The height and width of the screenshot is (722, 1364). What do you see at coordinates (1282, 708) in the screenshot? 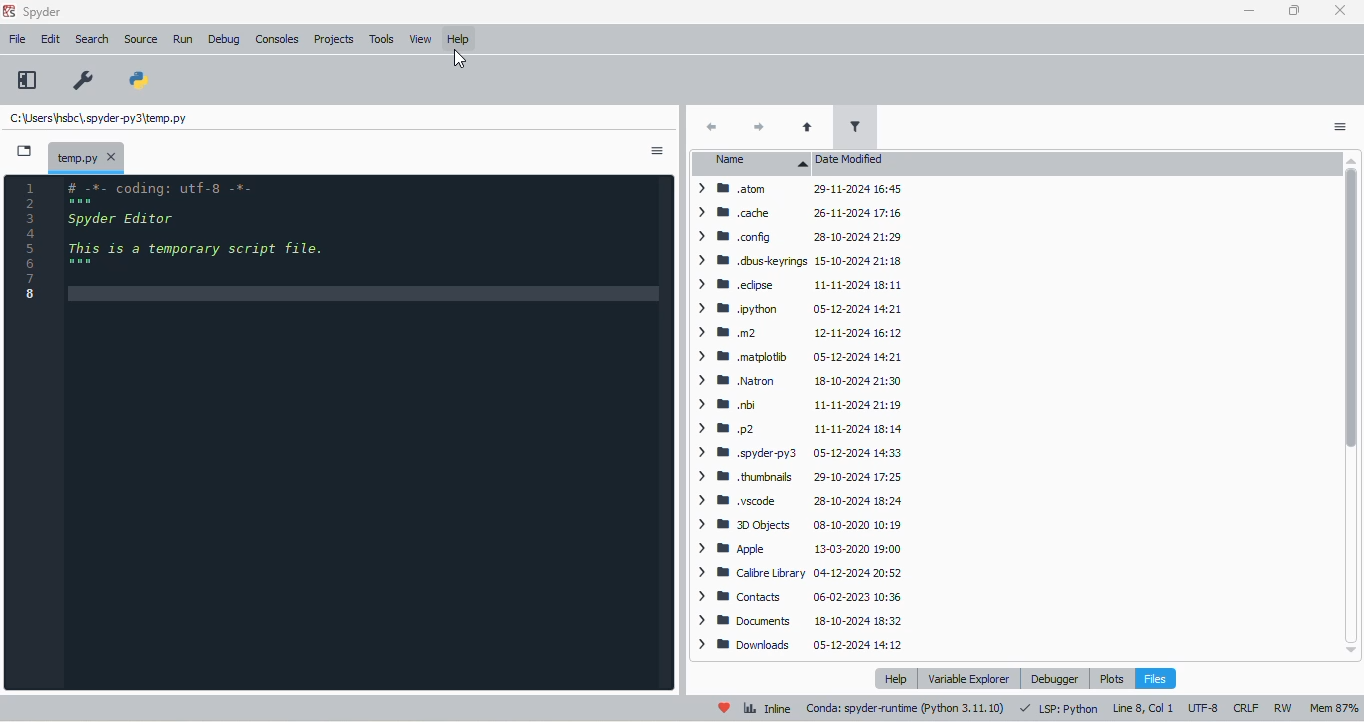
I see `RW` at bounding box center [1282, 708].